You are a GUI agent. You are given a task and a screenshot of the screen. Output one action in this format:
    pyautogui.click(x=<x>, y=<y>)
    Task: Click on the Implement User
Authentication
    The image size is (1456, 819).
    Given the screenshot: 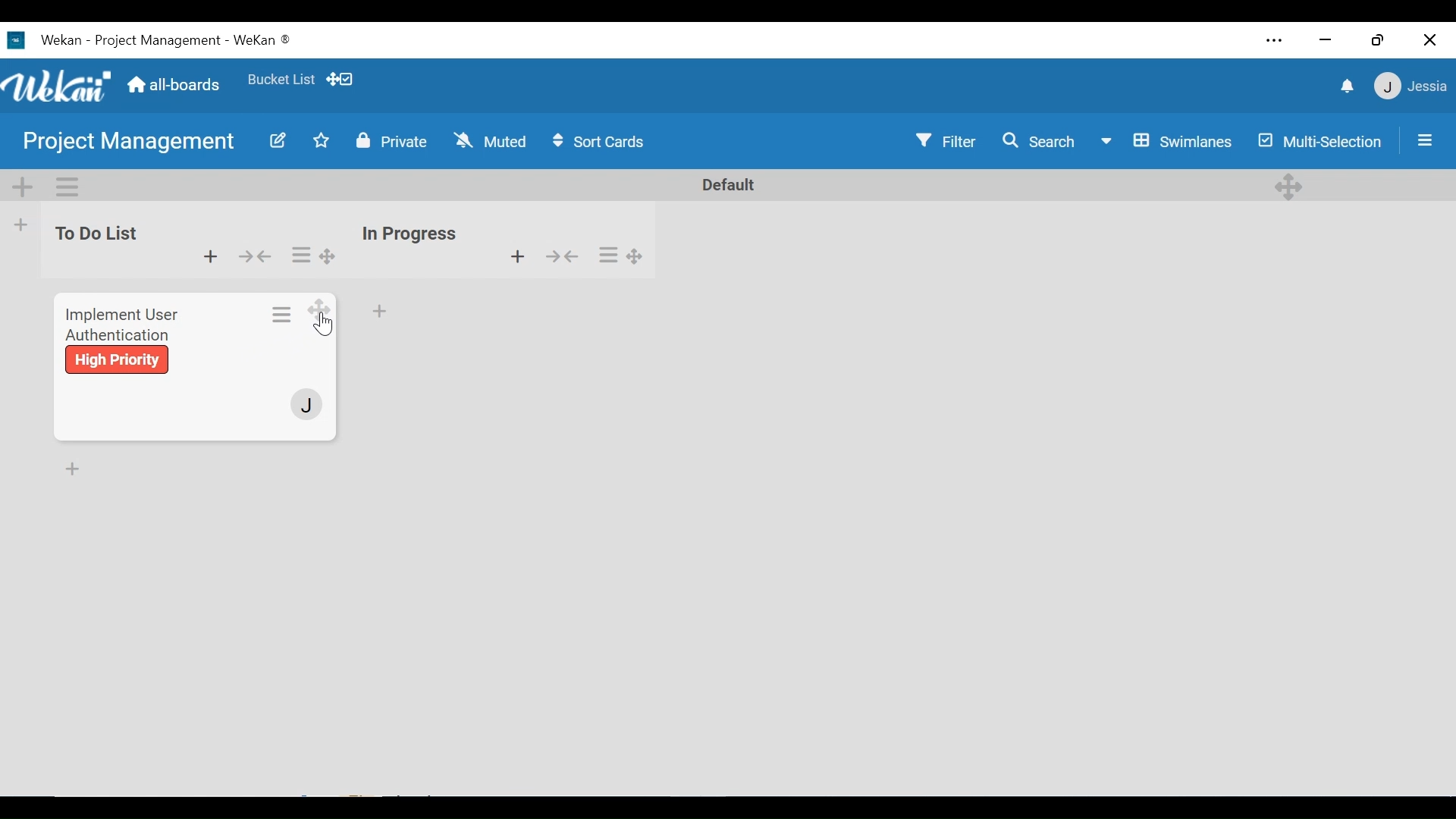 What is the action you would take?
    pyautogui.click(x=120, y=321)
    